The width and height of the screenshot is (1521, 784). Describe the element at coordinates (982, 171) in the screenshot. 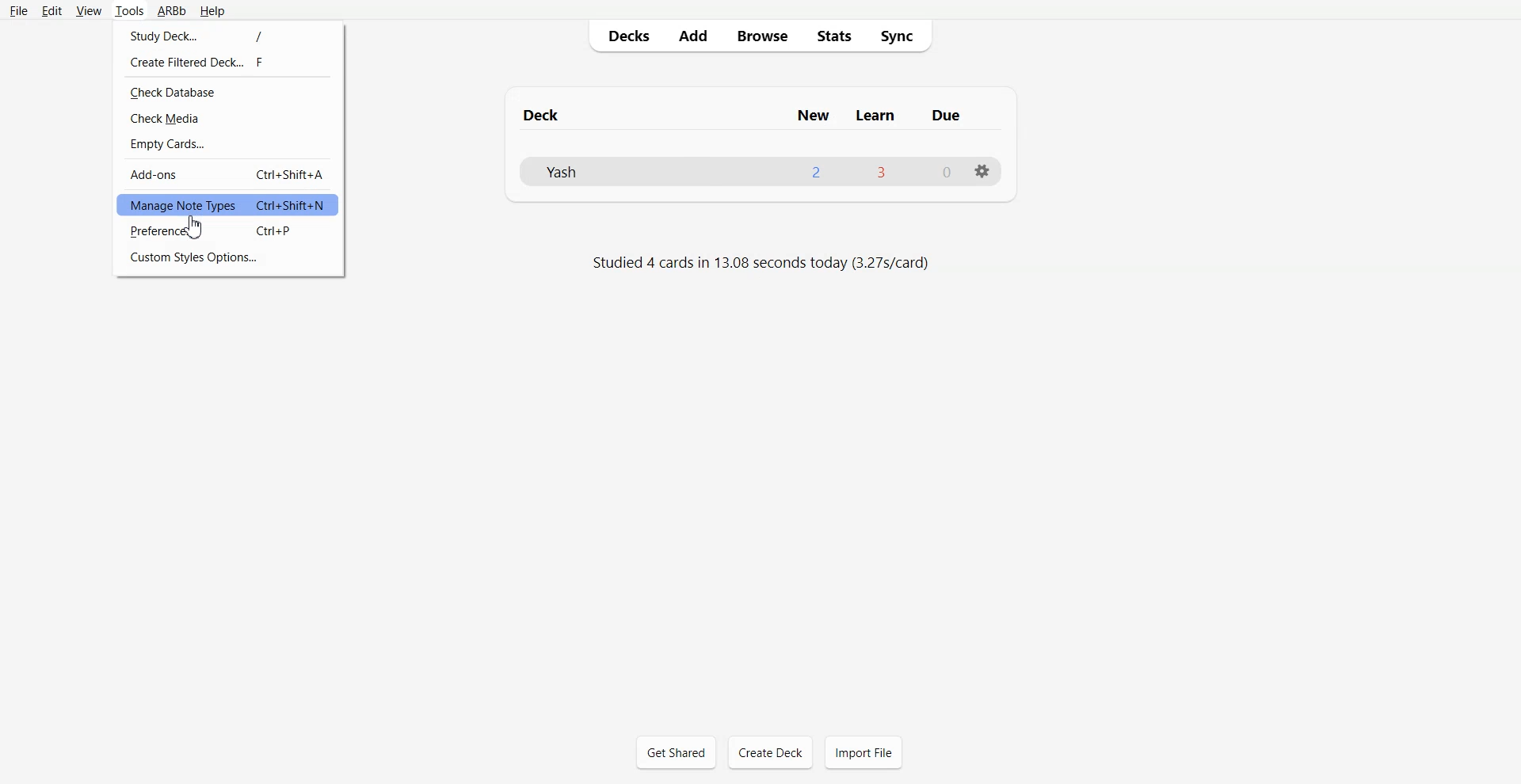

I see `Settings` at that location.